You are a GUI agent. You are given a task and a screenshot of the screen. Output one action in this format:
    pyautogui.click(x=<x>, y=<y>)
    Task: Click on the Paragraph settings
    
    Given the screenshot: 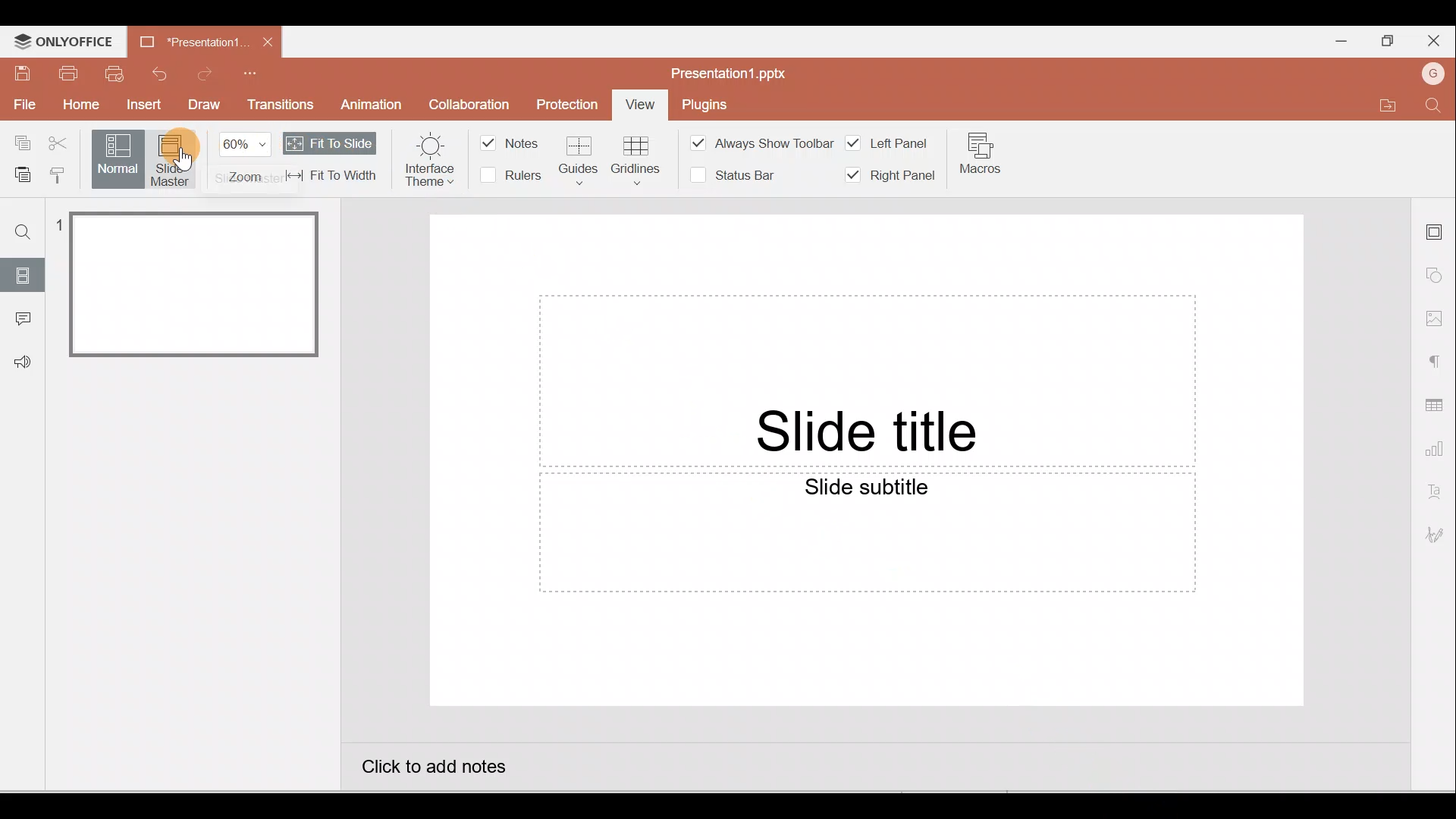 What is the action you would take?
    pyautogui.click(x=1437, y=359)
    